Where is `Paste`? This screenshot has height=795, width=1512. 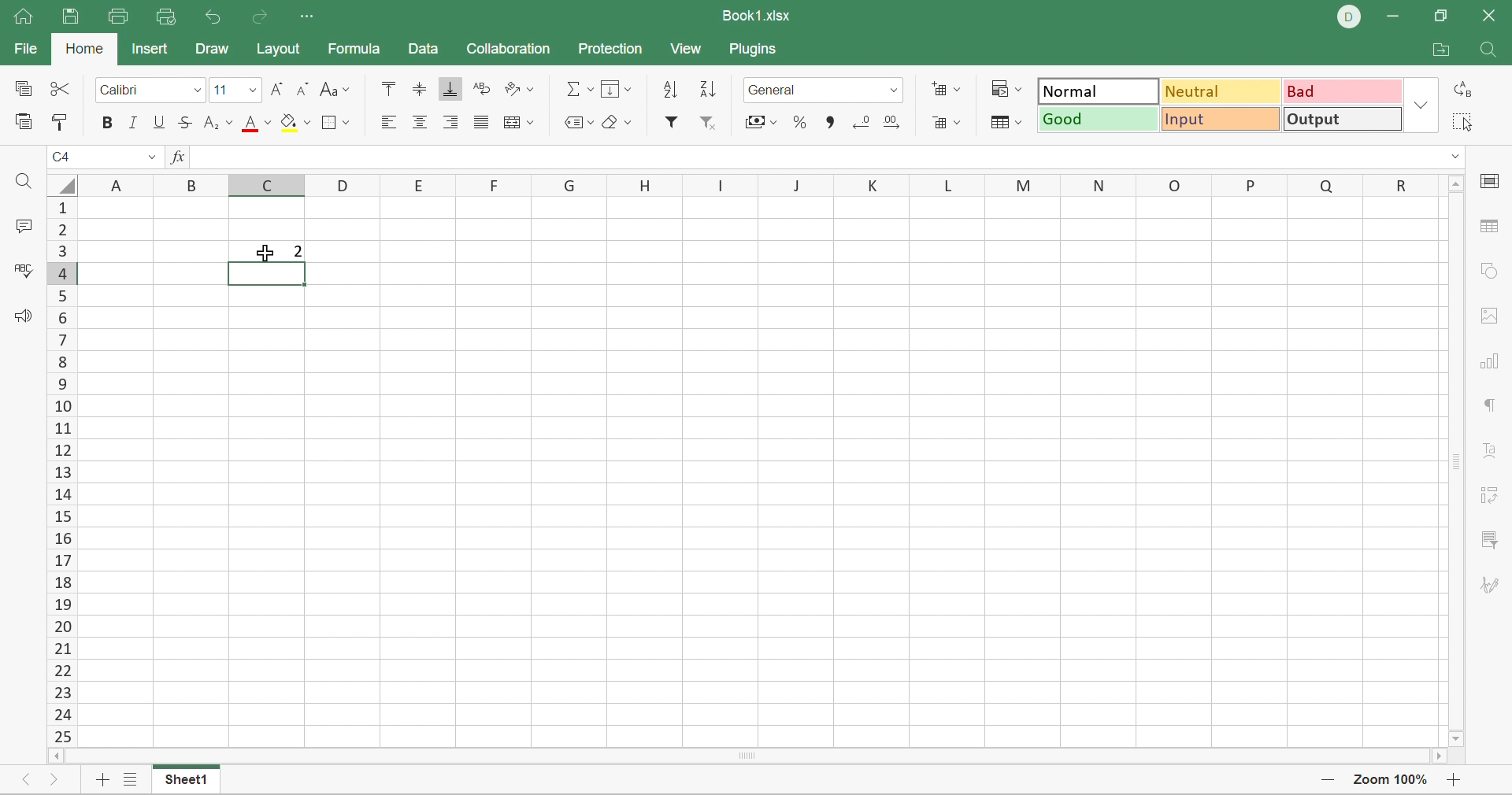
Paste is located at coordinates (25, 120).